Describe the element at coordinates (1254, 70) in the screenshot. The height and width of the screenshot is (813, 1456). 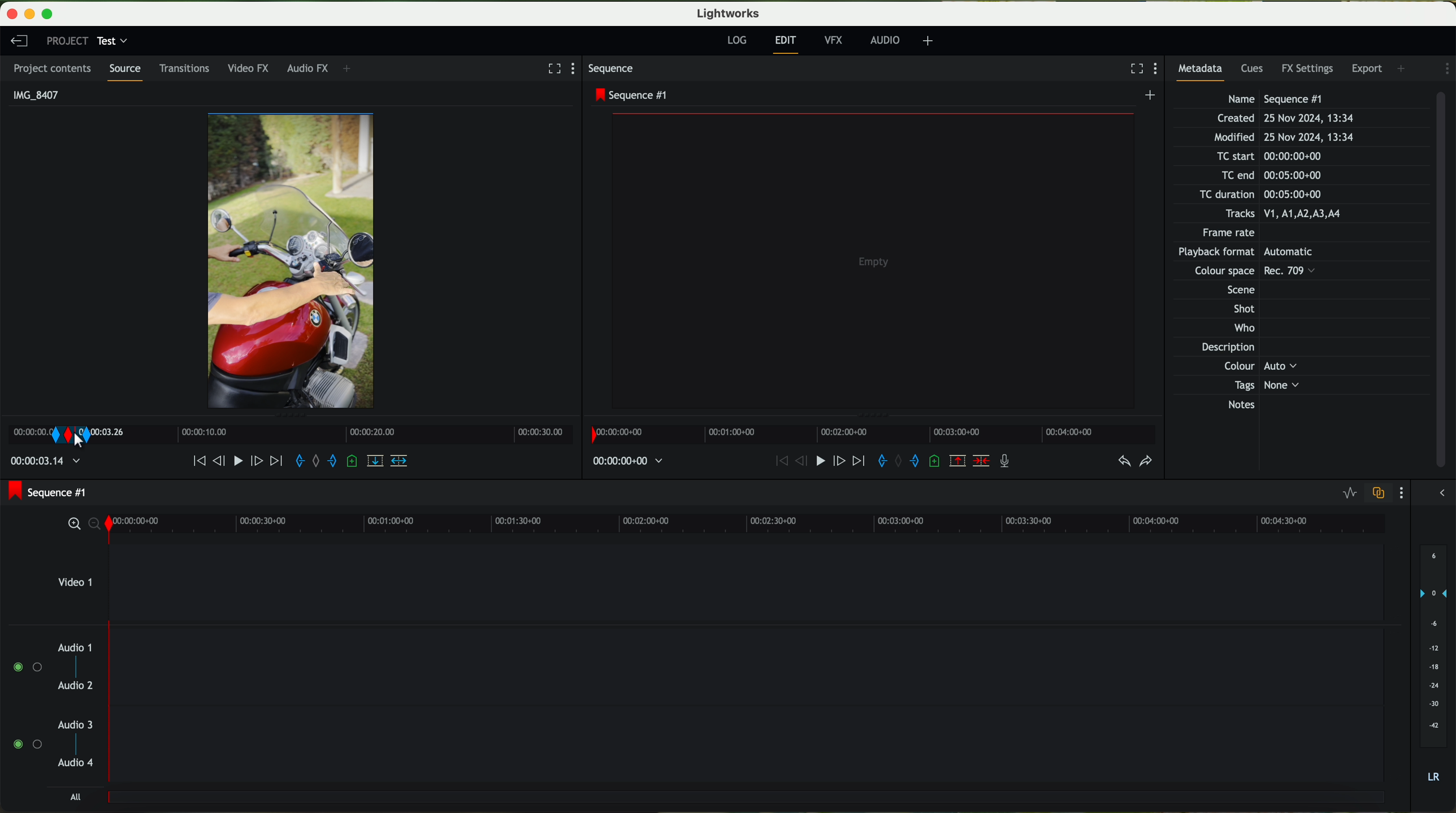
I see `cues` at that location.